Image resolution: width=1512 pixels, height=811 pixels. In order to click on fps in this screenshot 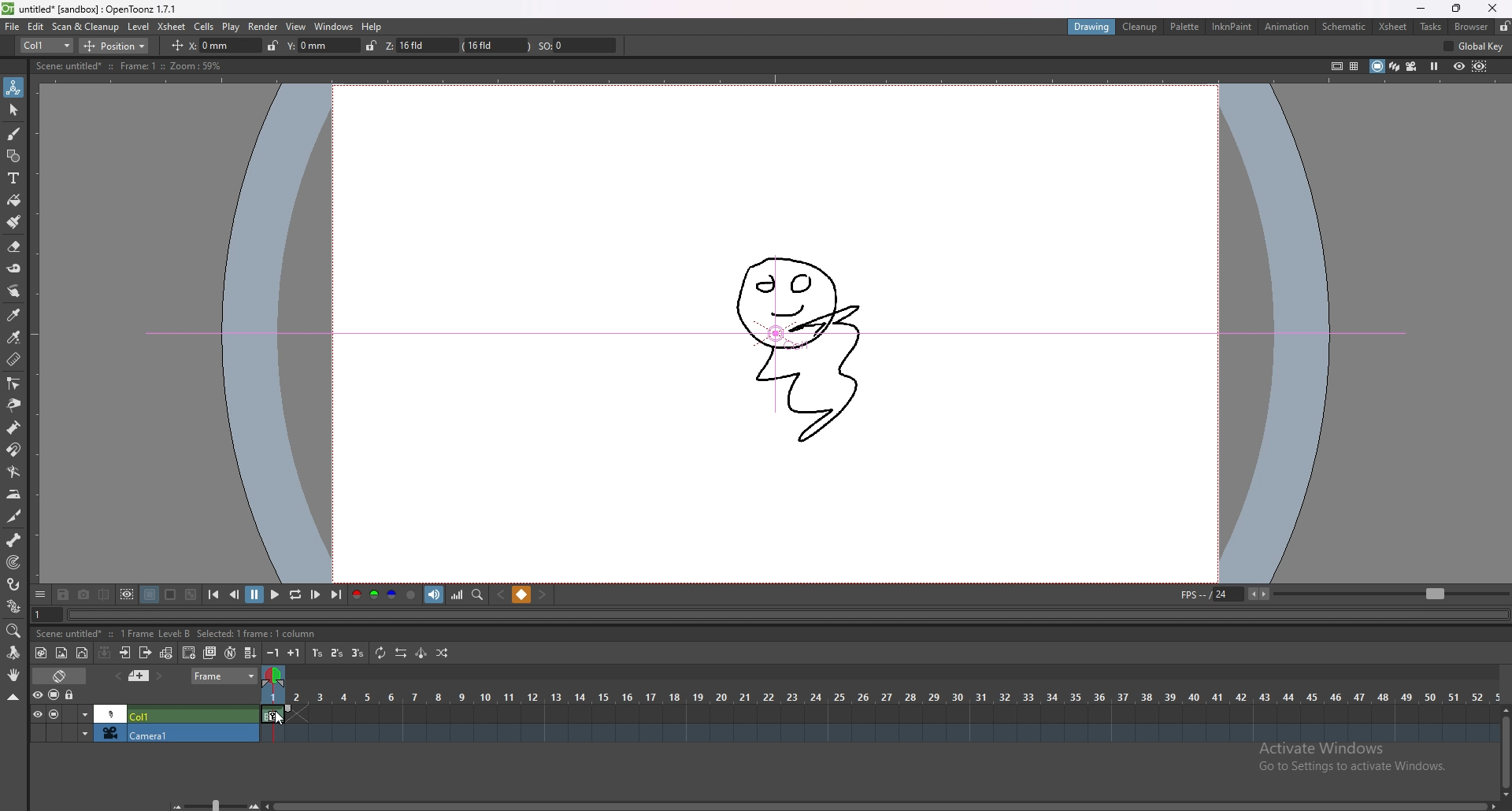, I will do `click(1340, 594)`.